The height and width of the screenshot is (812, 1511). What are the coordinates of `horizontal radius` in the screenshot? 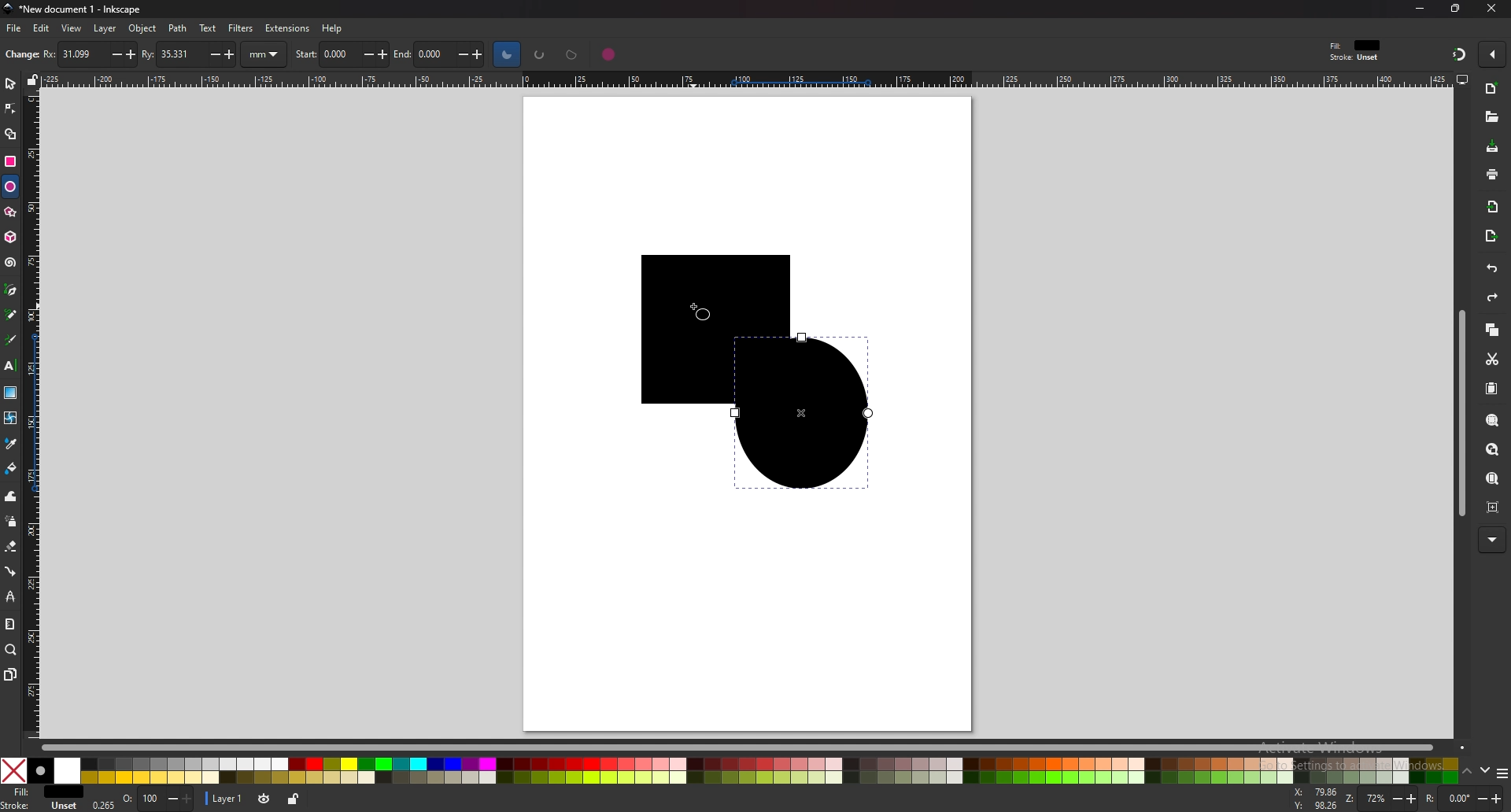 It's located at (87, 54).